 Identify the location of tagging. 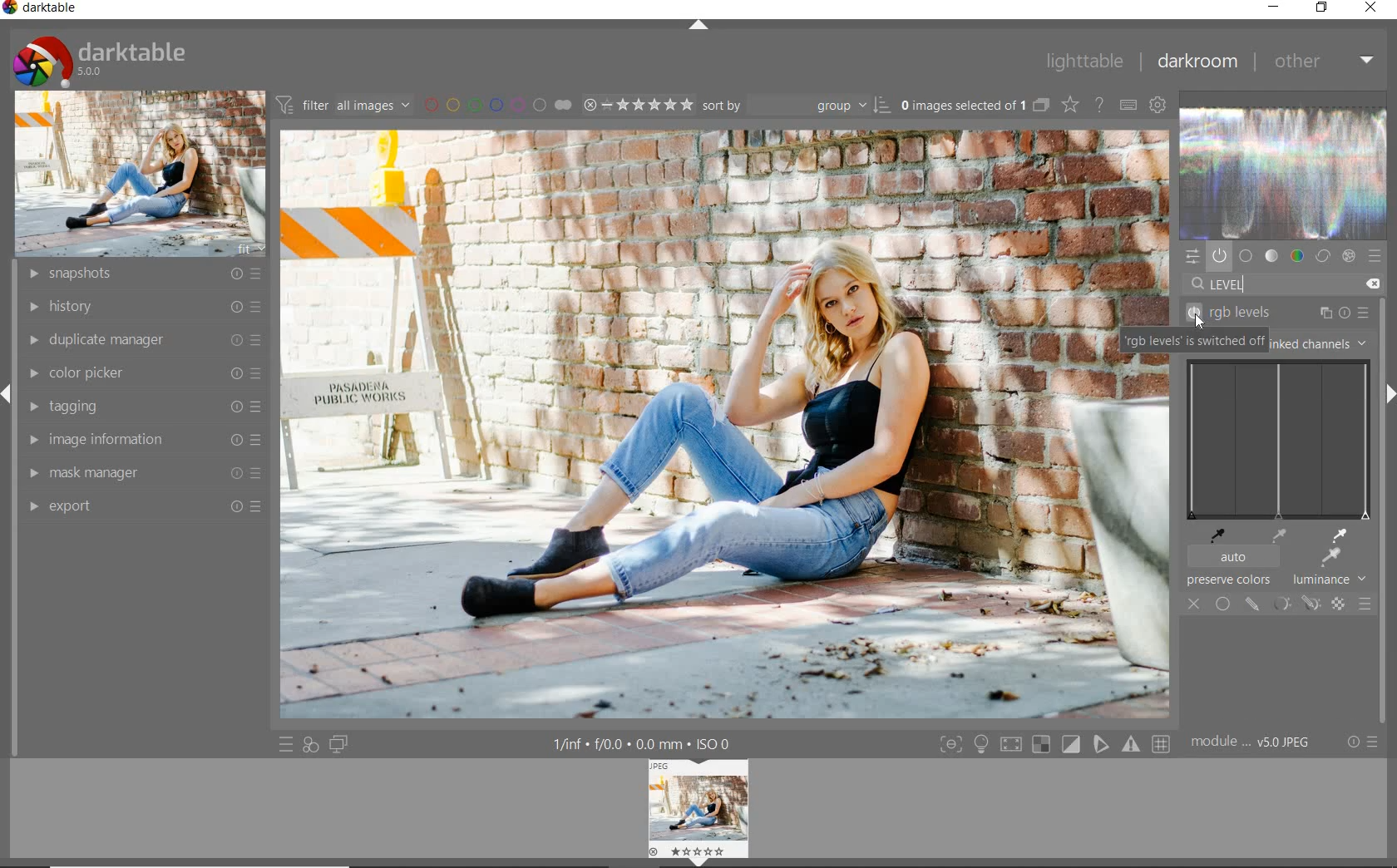
(140, 407).